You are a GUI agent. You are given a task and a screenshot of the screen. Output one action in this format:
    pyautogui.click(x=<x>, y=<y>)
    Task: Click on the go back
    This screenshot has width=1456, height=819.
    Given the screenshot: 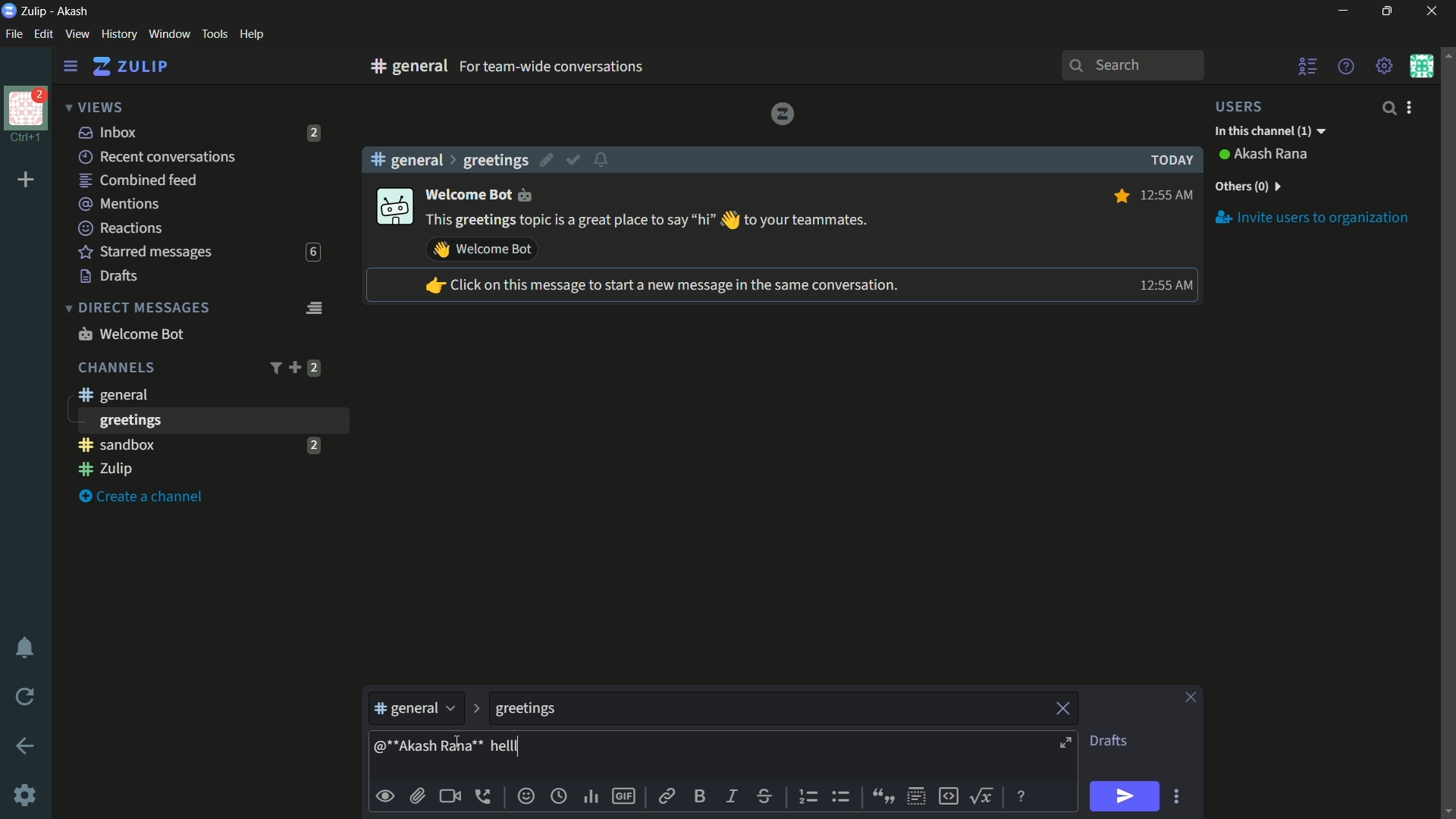 What is the action you would take?
    pyautogui.click(x=26, y=747)
    